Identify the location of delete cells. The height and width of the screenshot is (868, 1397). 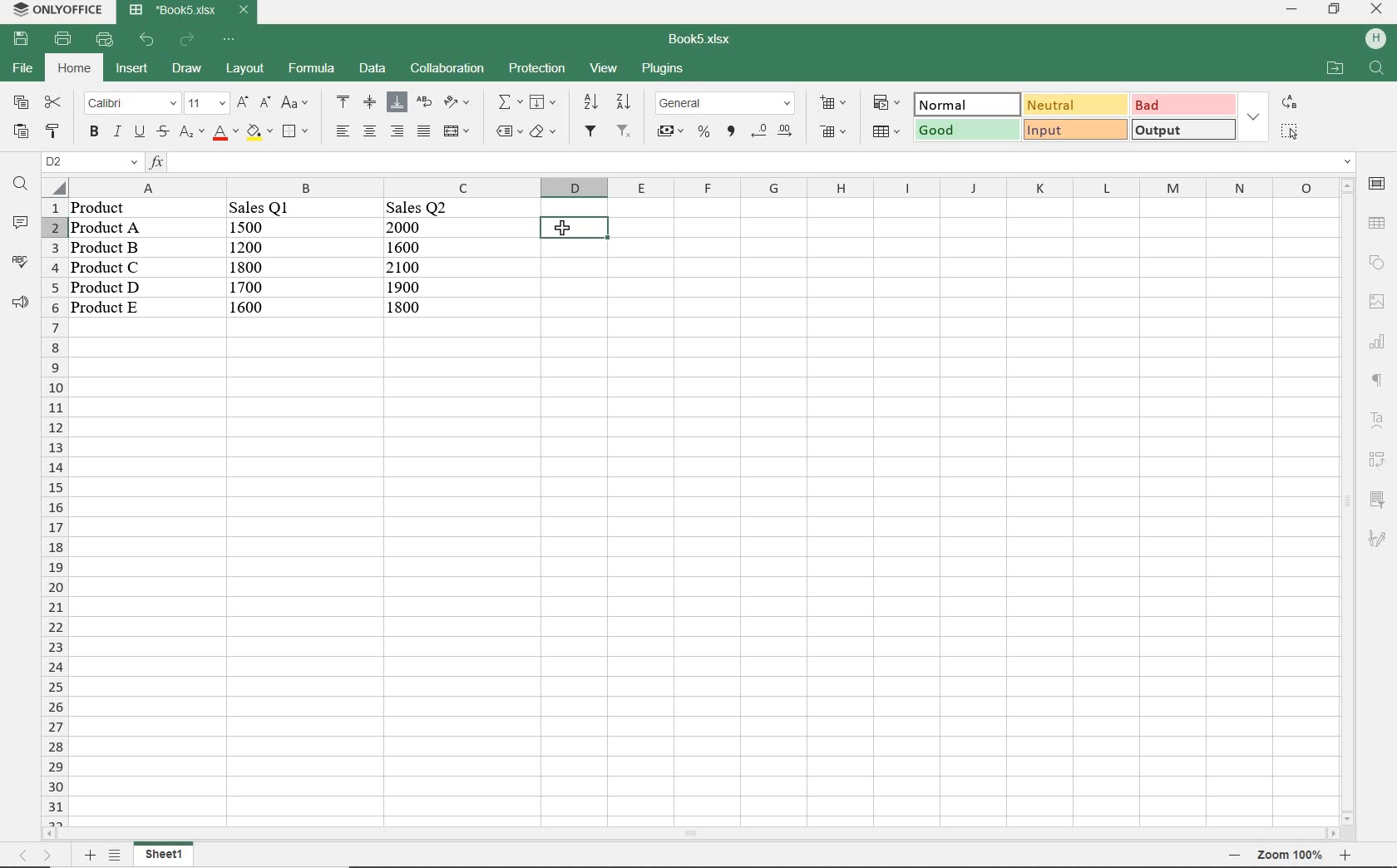
(833, 131).